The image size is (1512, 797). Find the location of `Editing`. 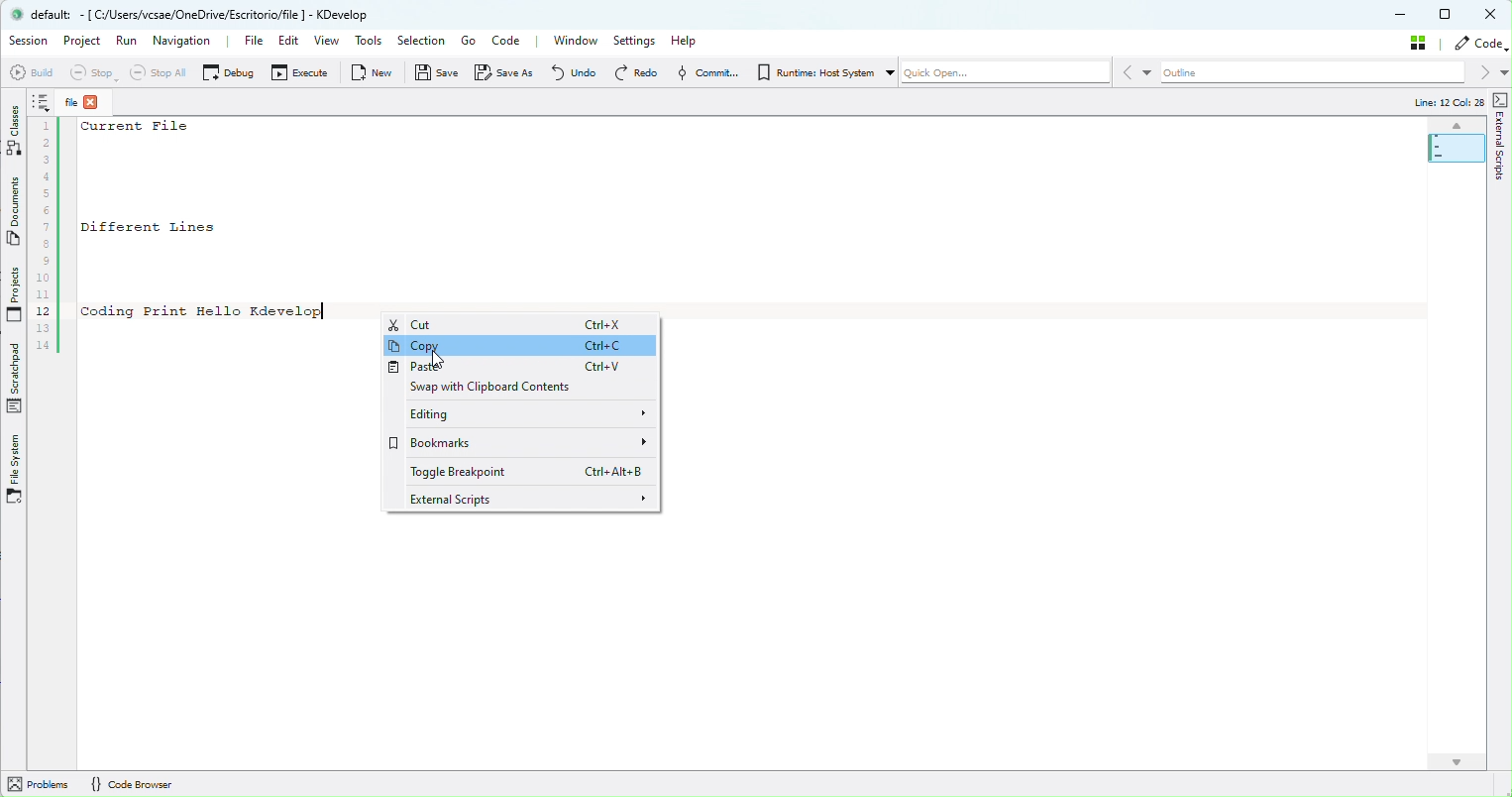

Editing is located at coordinates (517, 416).